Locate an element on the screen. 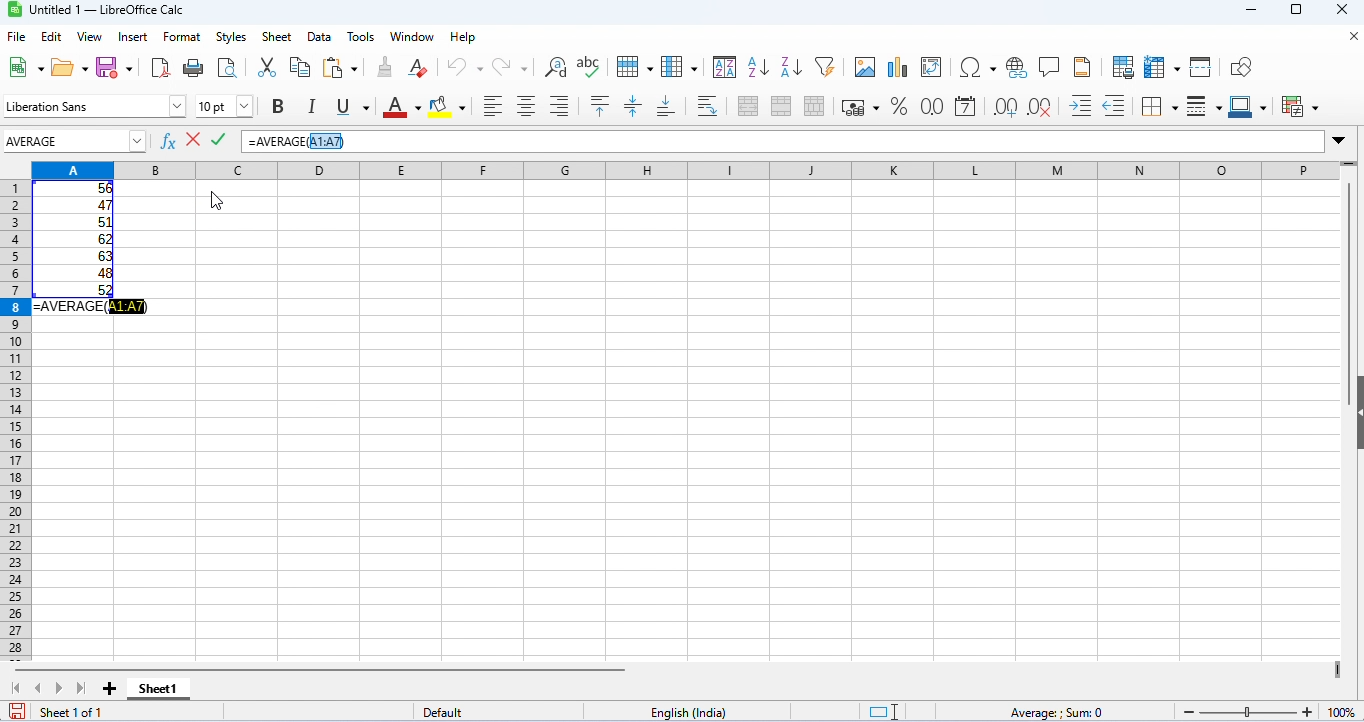  border color is located at coordinates (1251, 106).